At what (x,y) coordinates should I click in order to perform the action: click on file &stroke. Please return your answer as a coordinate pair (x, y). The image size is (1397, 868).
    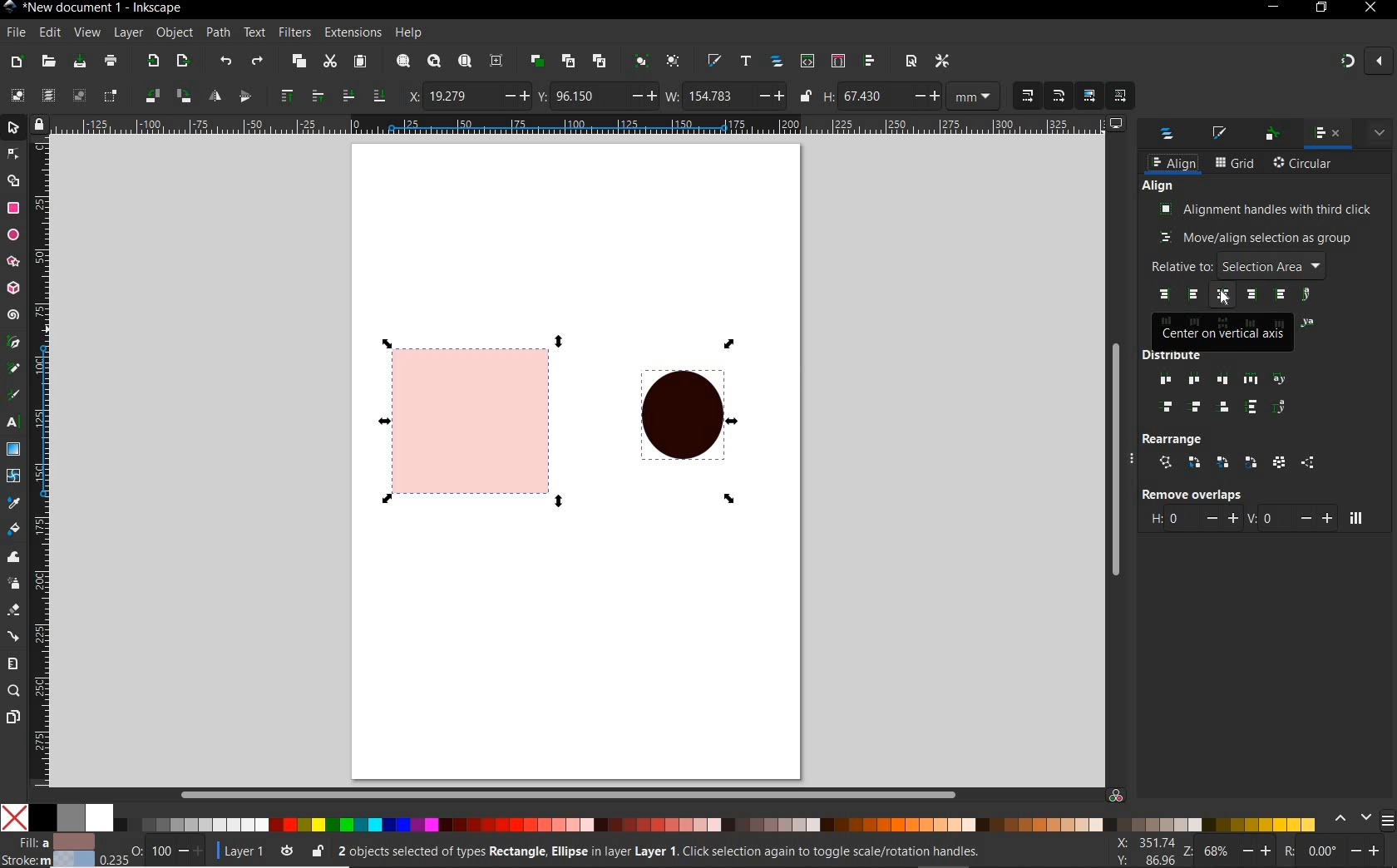
    Looking at the image, I should click on (48, 850).